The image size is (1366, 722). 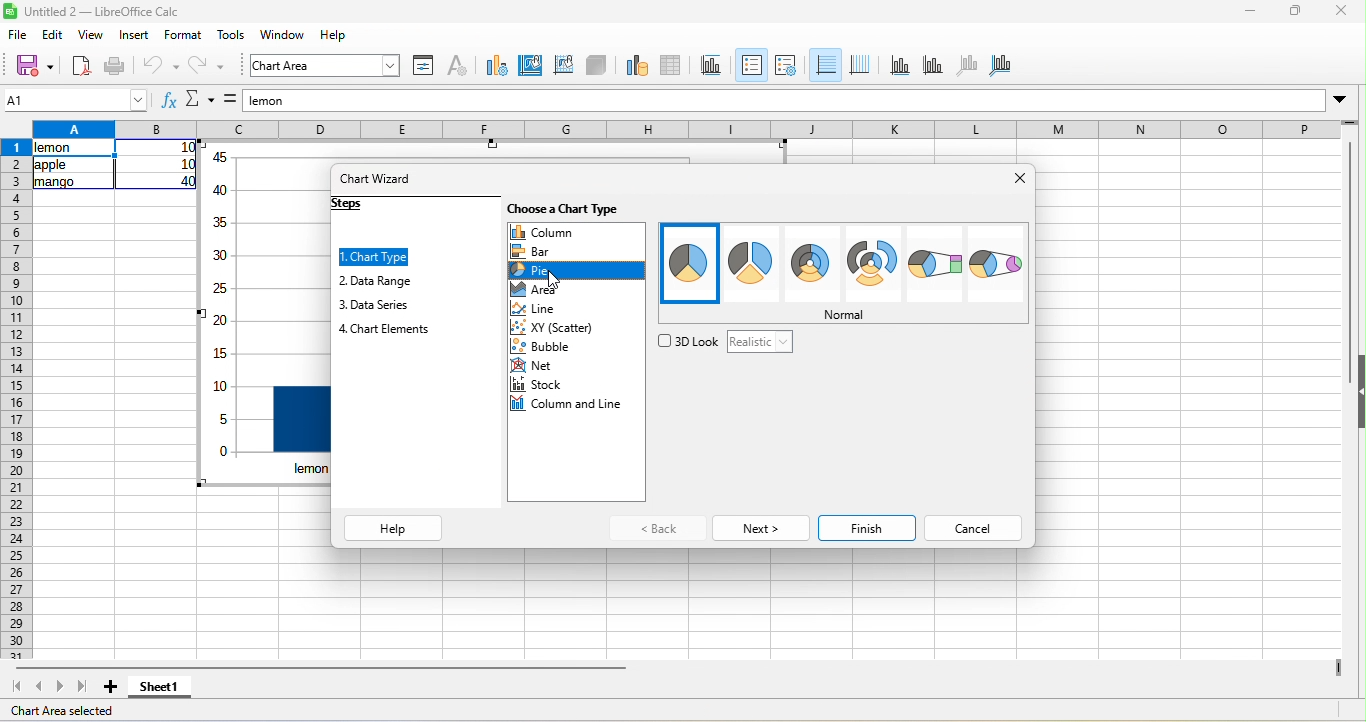 What do you see at coordinates (167, 101) in the screenshot?
I see `function wizard` at bounding box center [167, 101].